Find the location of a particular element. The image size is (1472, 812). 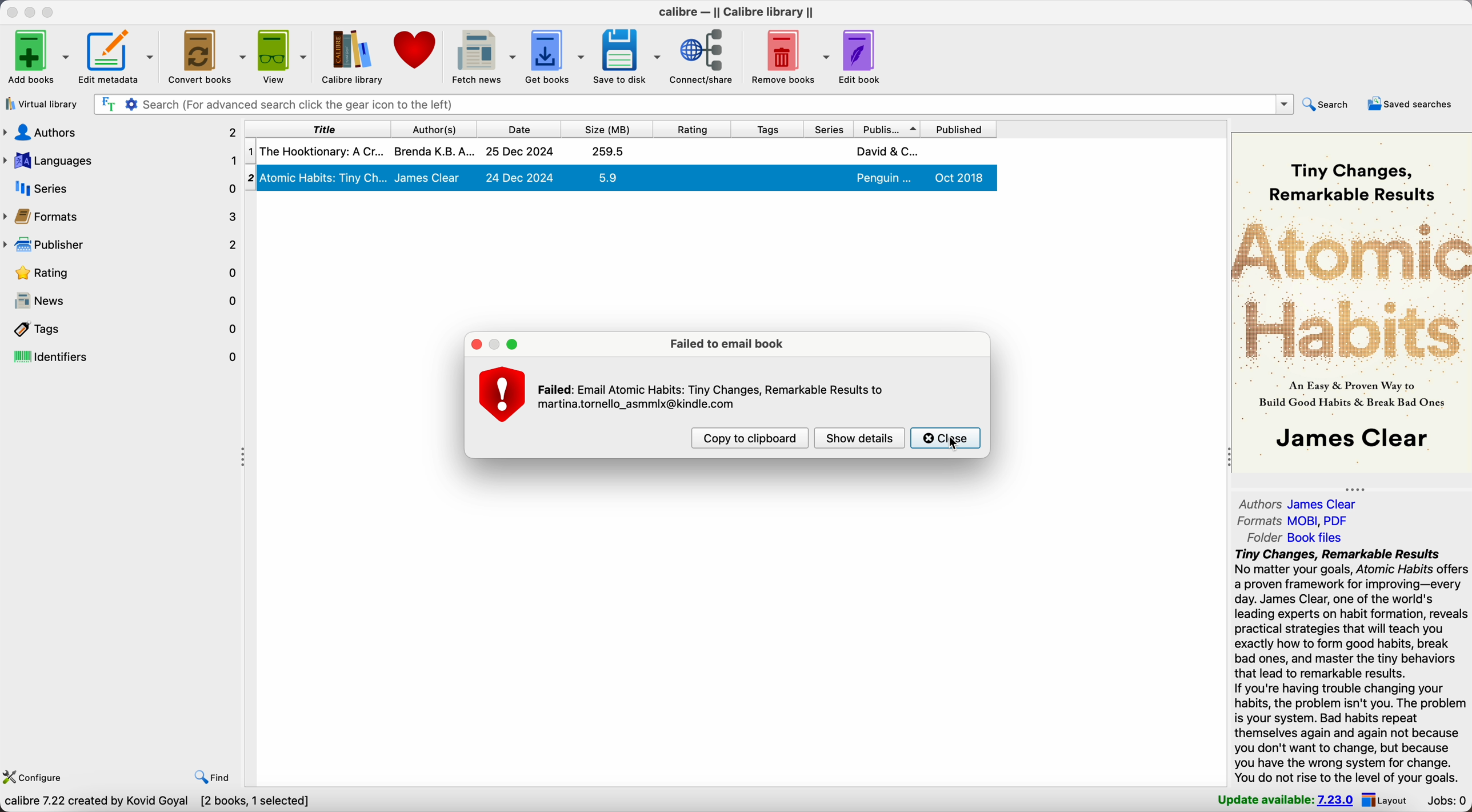

maximize popup is located at coordinates (514, 344).